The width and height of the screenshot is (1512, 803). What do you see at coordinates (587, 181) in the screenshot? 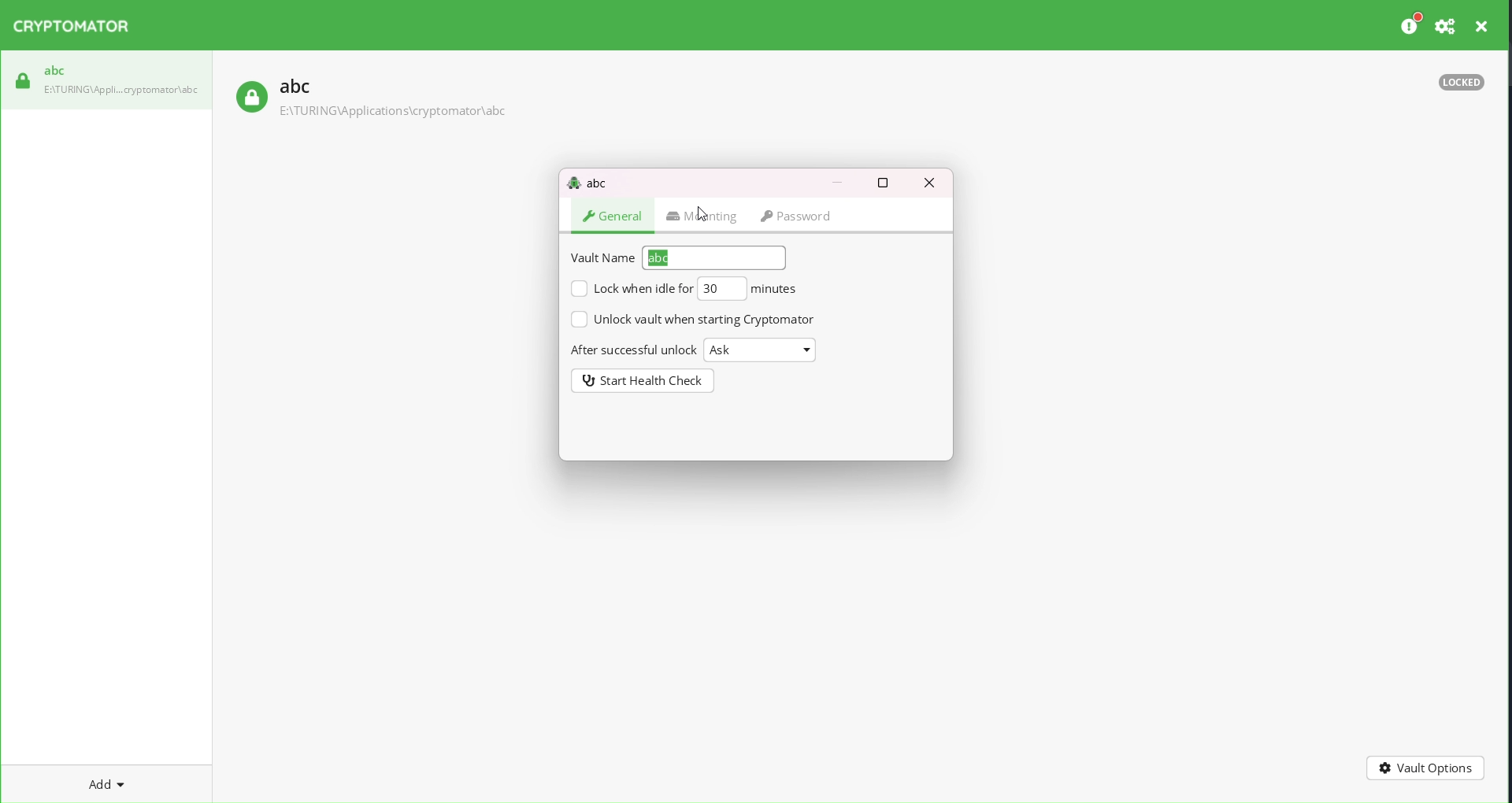
I see `abc` at bounding box center [587, 181].